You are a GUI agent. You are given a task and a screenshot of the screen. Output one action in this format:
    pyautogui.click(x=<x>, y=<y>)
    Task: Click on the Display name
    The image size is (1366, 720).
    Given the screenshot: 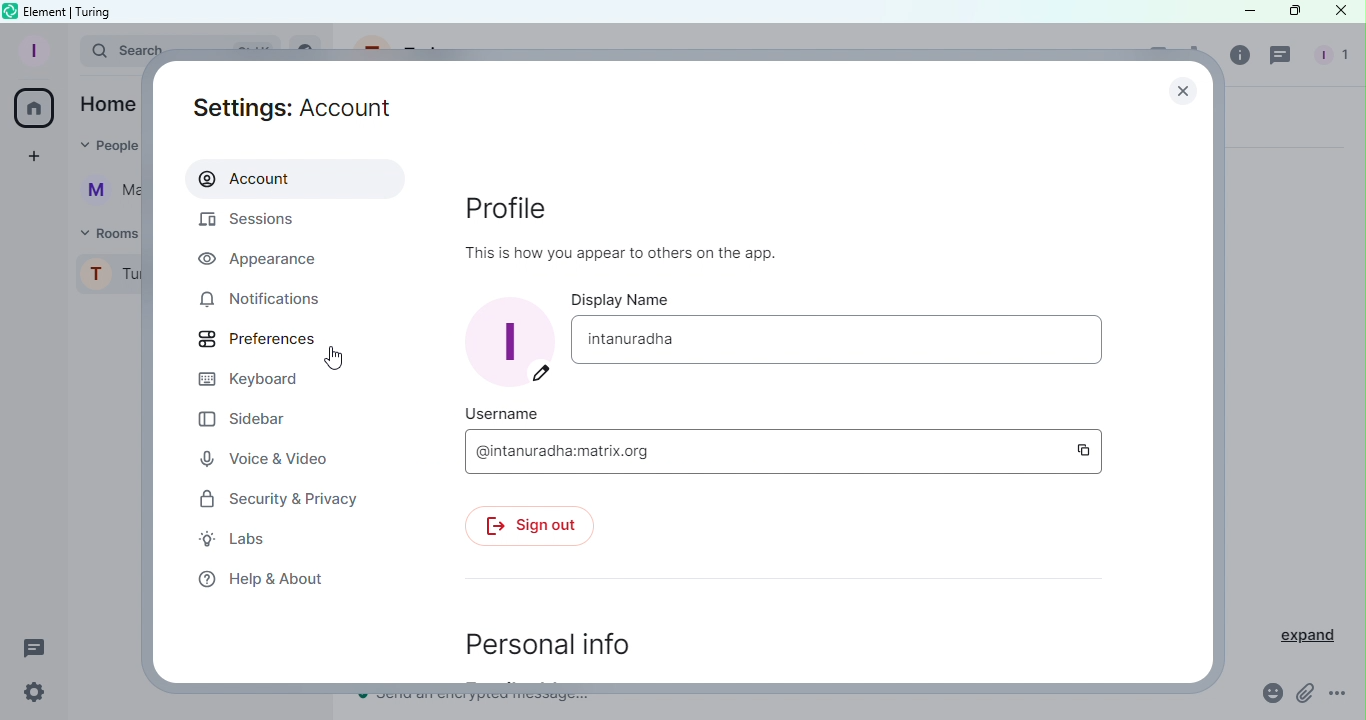 What is the action you would take?
    pyautogui.click(x=626, y=297)
    